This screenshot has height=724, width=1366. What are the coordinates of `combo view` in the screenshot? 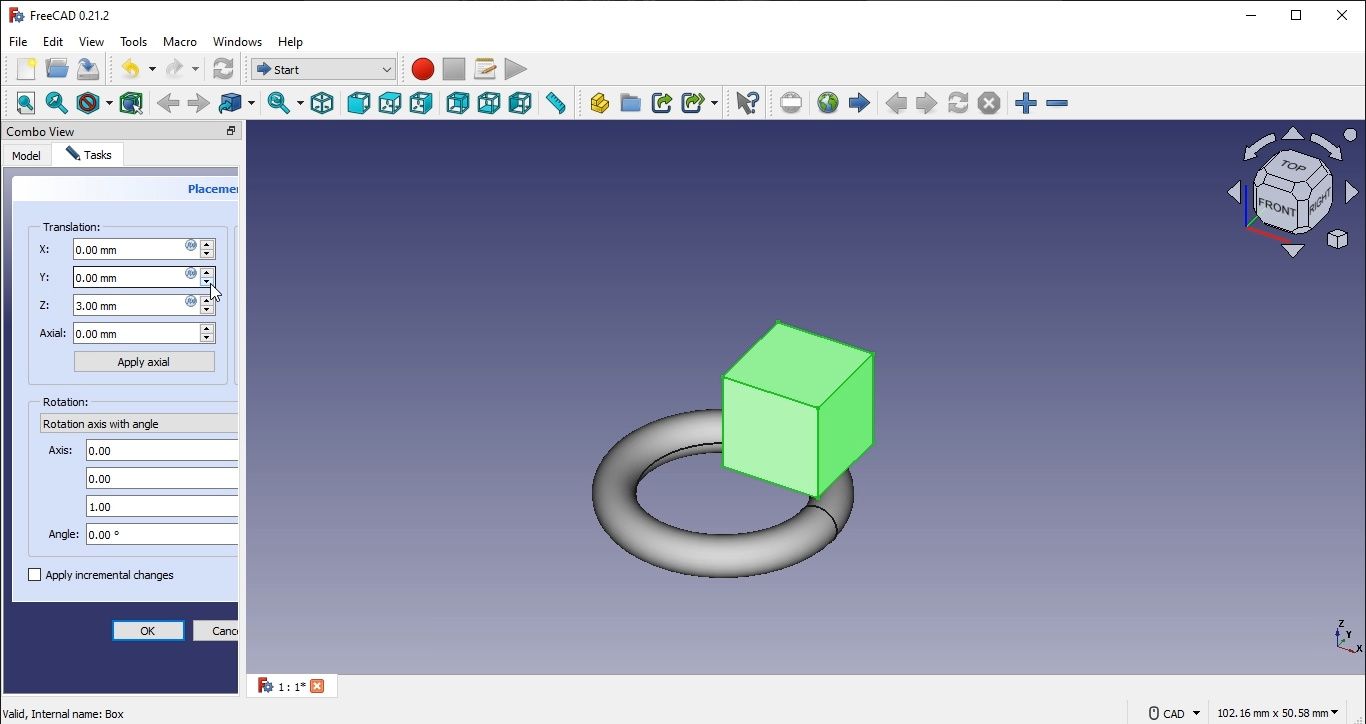 It's located at (42, 131).